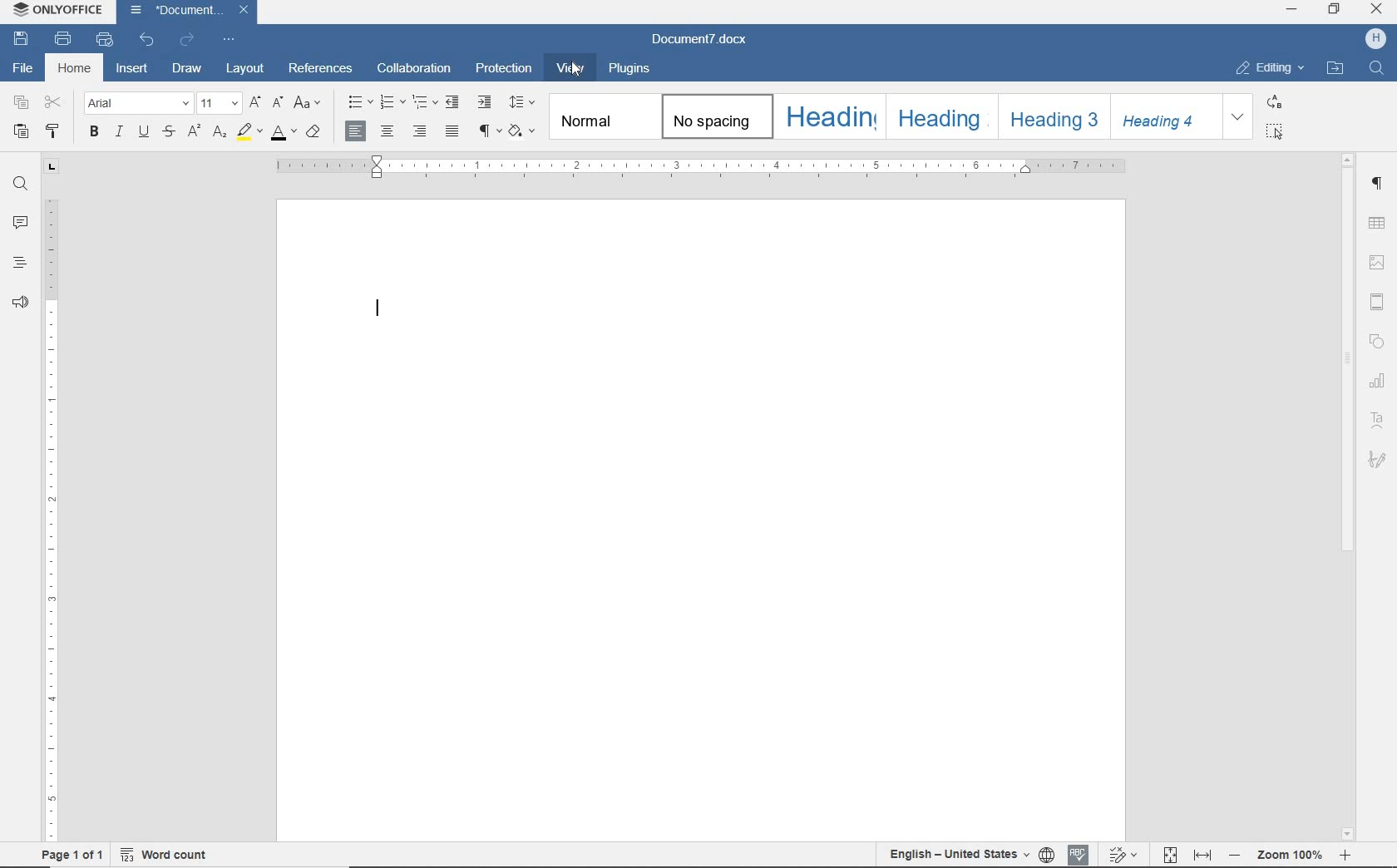 Image resolution: width=1397 pixels, height=868 pixels. What do you see at coordinates (93, 132) in the screenshot?
I see `BOLD` at bounding box center [93, 132].